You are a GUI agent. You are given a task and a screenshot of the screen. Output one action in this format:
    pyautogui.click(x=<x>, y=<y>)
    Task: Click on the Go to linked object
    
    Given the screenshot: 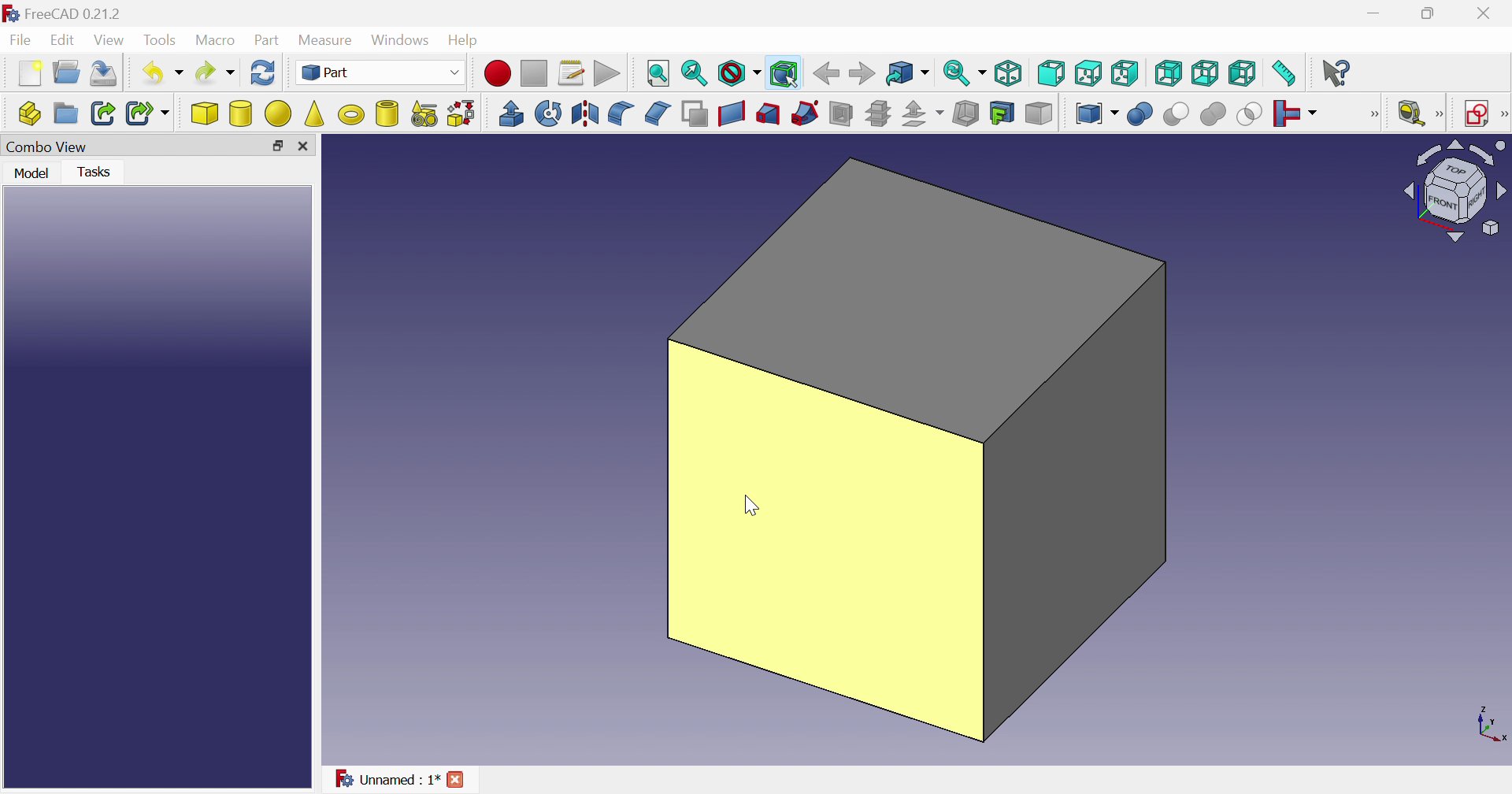 What is the action you would take?
    pyautogui.click(x=907, y=74)
    